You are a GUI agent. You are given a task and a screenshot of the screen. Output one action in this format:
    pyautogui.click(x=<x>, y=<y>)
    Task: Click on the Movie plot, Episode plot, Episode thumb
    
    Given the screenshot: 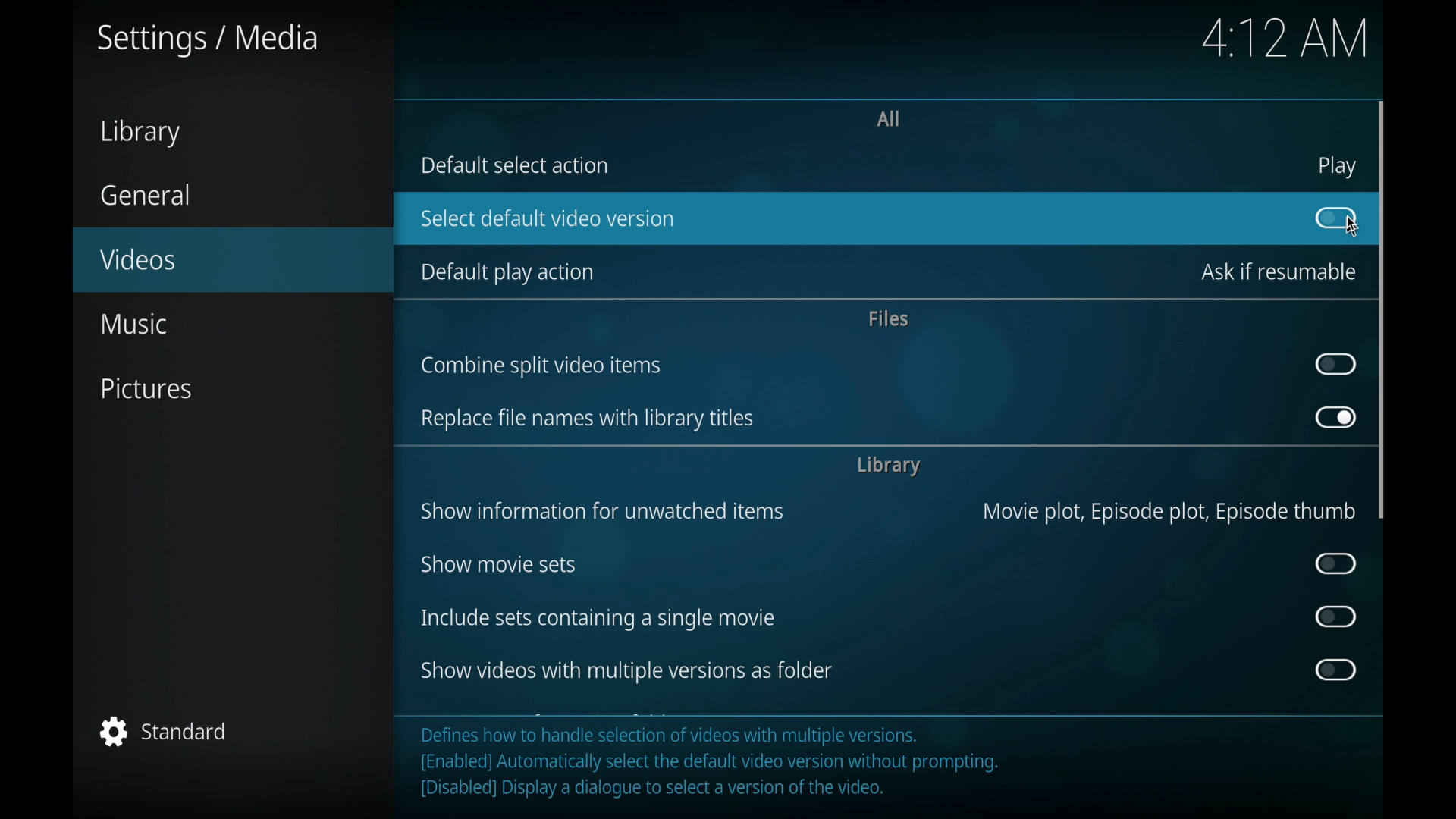 What is the action you would take?
    pyautogui.click(x=1169, y=510)
    